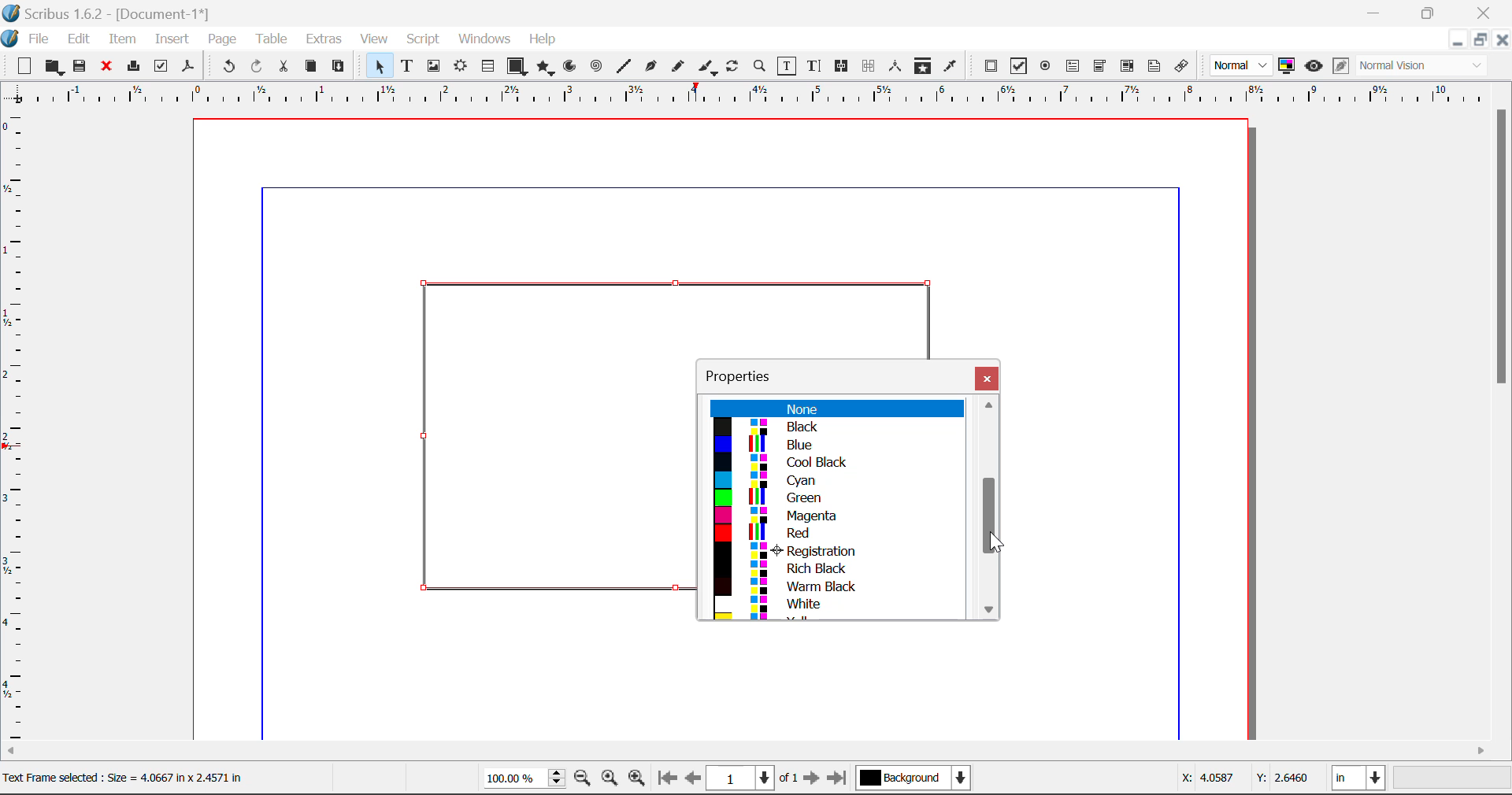 The image size is (1512, 795). What do you see at coordinates (787, 65) in the screenshot?
I see `Edit Contents of Frame` at bounding box center [787, 65].